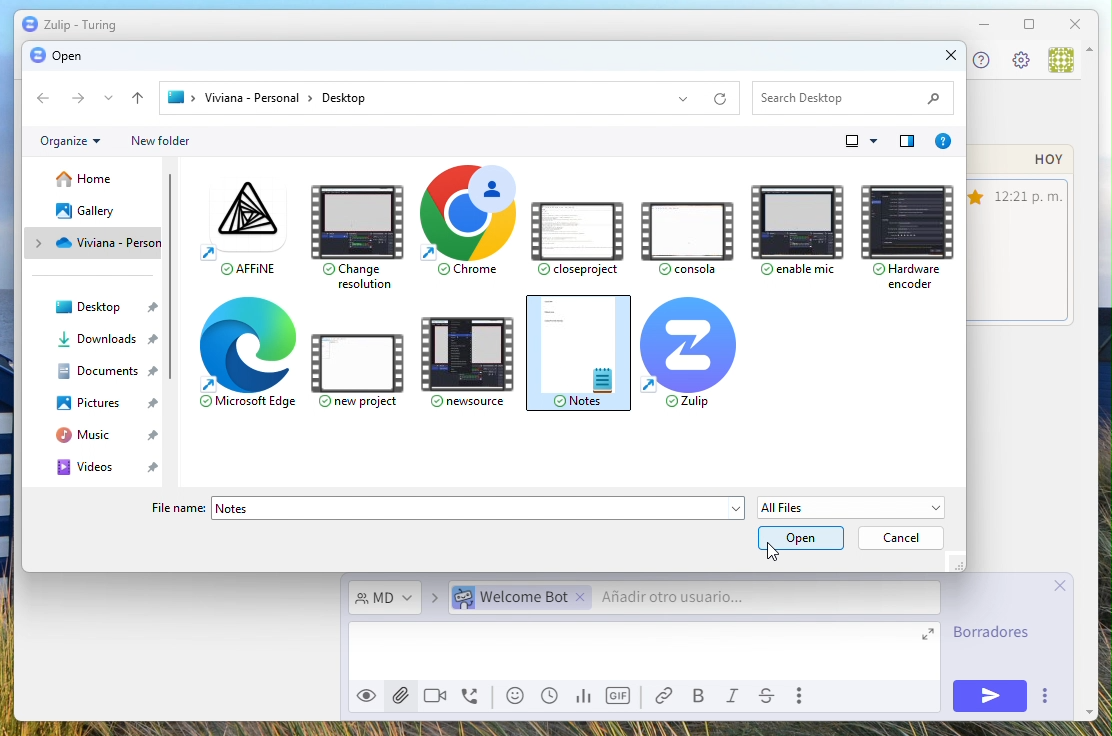  What do you see at coordinates (89, 210) in the screenshot?
I see `Gallery` at bounding box center [89, 210].